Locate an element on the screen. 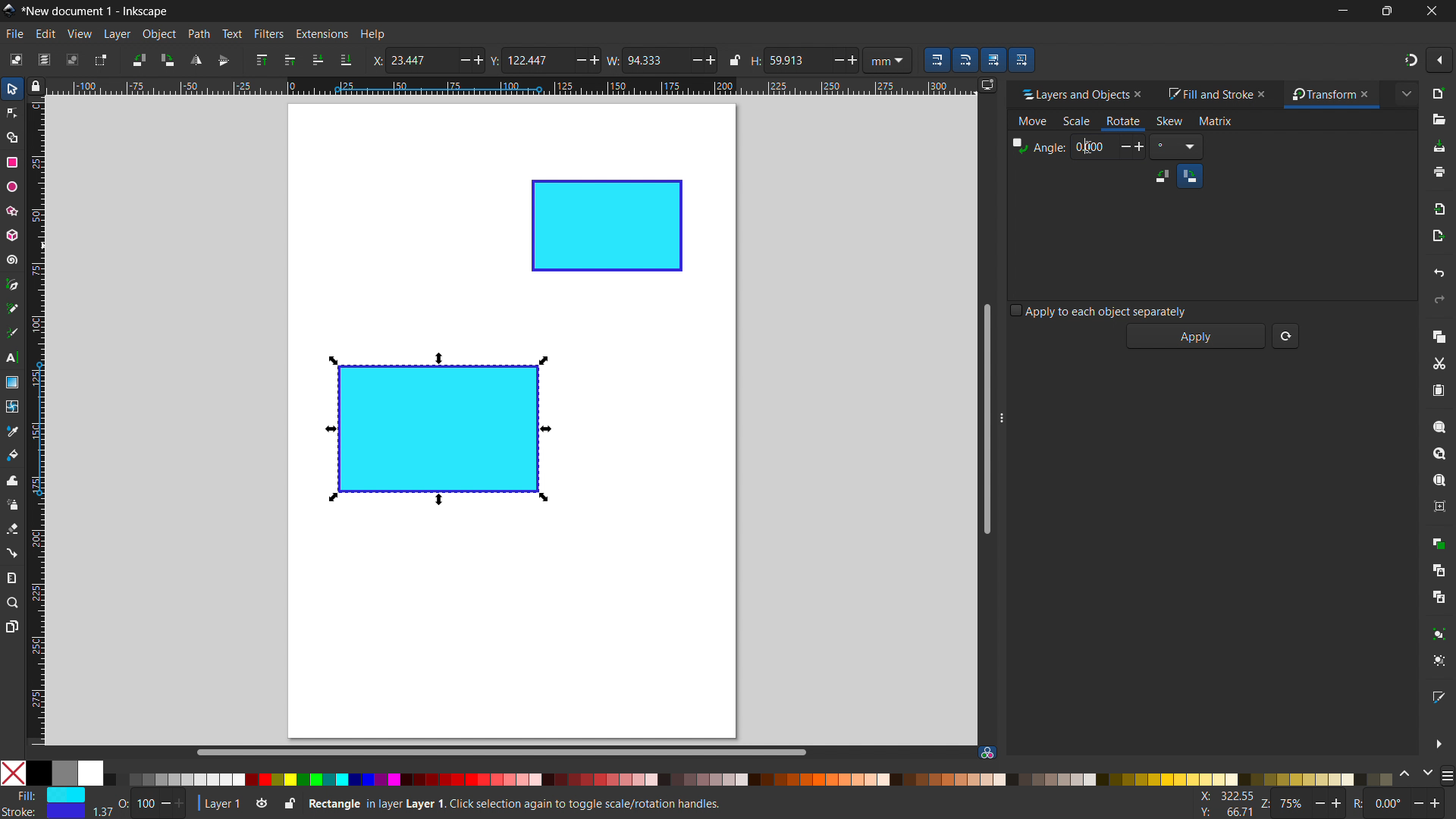  spray tool is located at coordinates (13, 504).